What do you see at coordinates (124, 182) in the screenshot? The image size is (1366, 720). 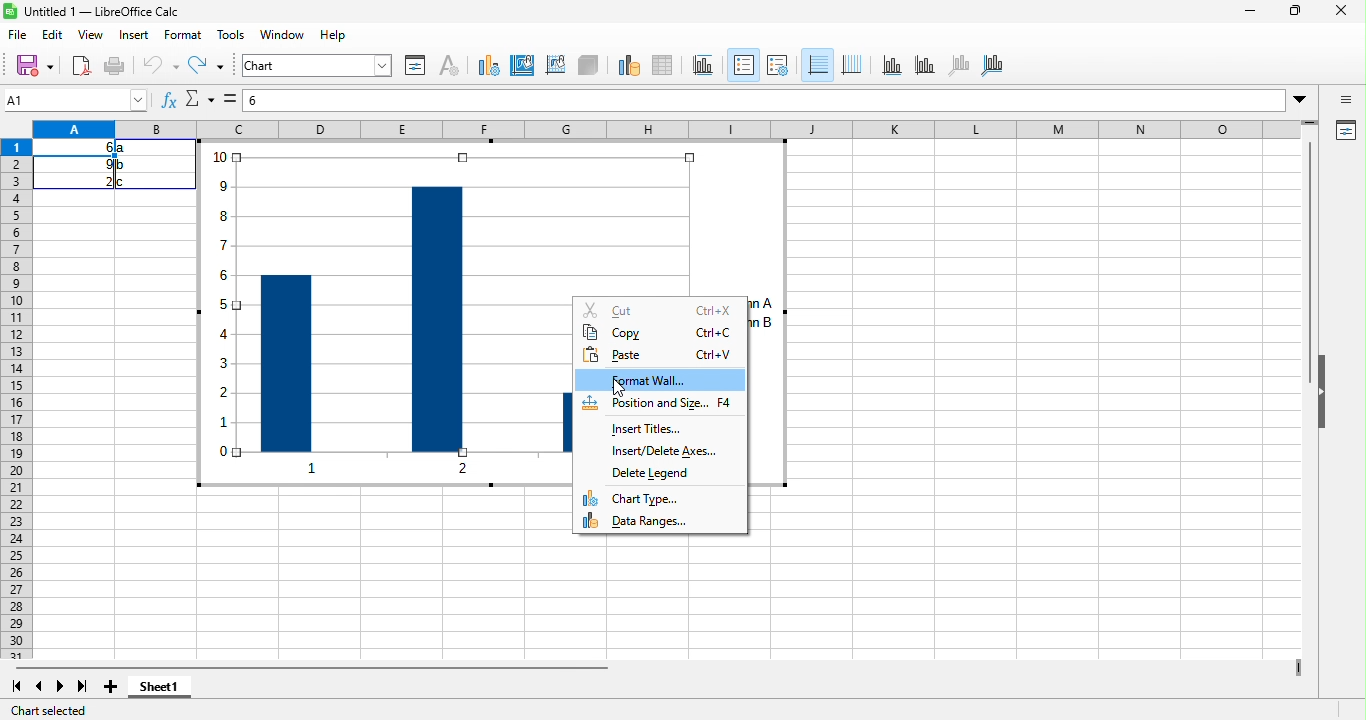 I see `c` at bounding box center [124, 182].